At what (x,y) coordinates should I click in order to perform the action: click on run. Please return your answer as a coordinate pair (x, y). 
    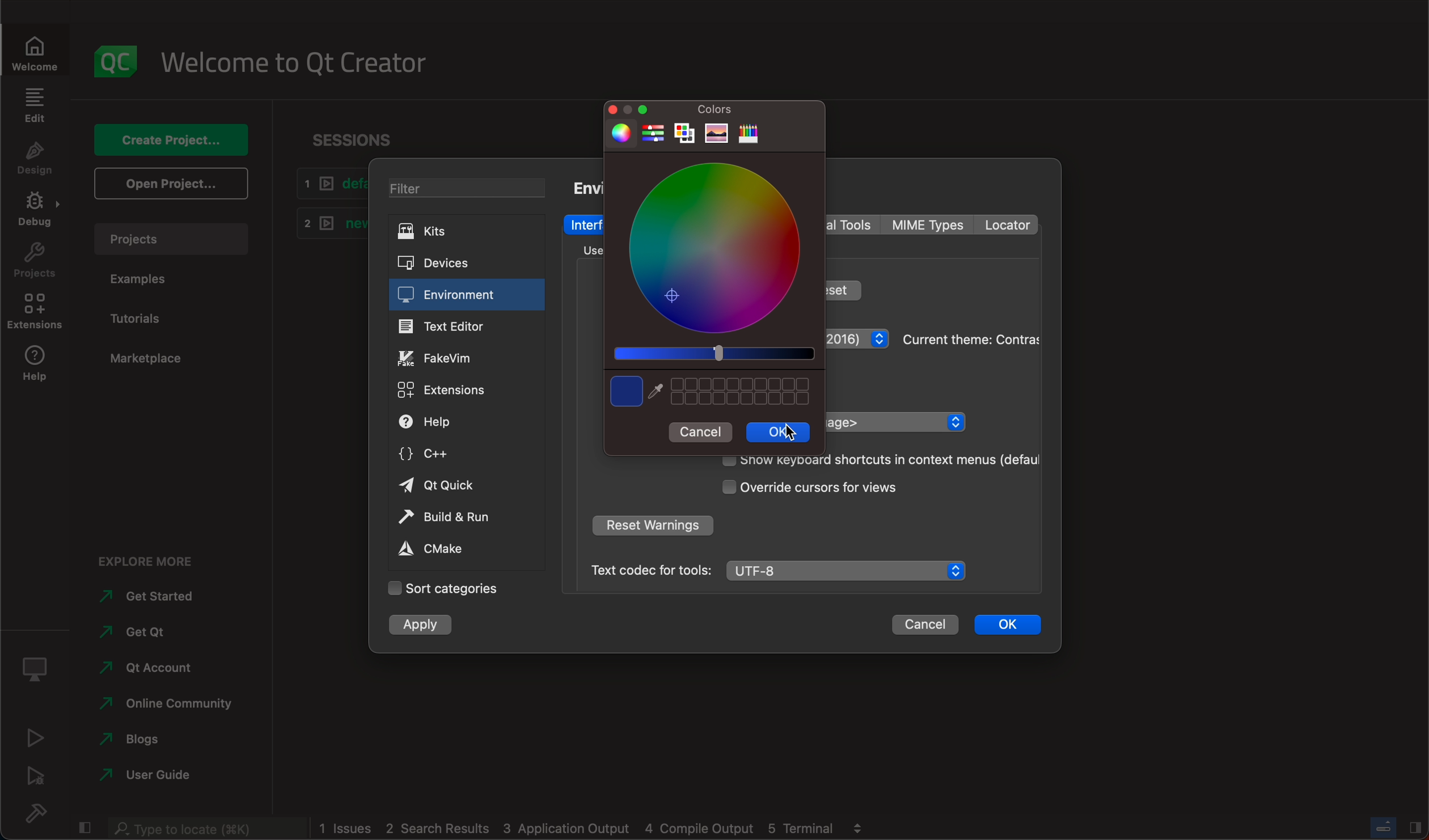
    Looking at the image, I should click on (37, 736).